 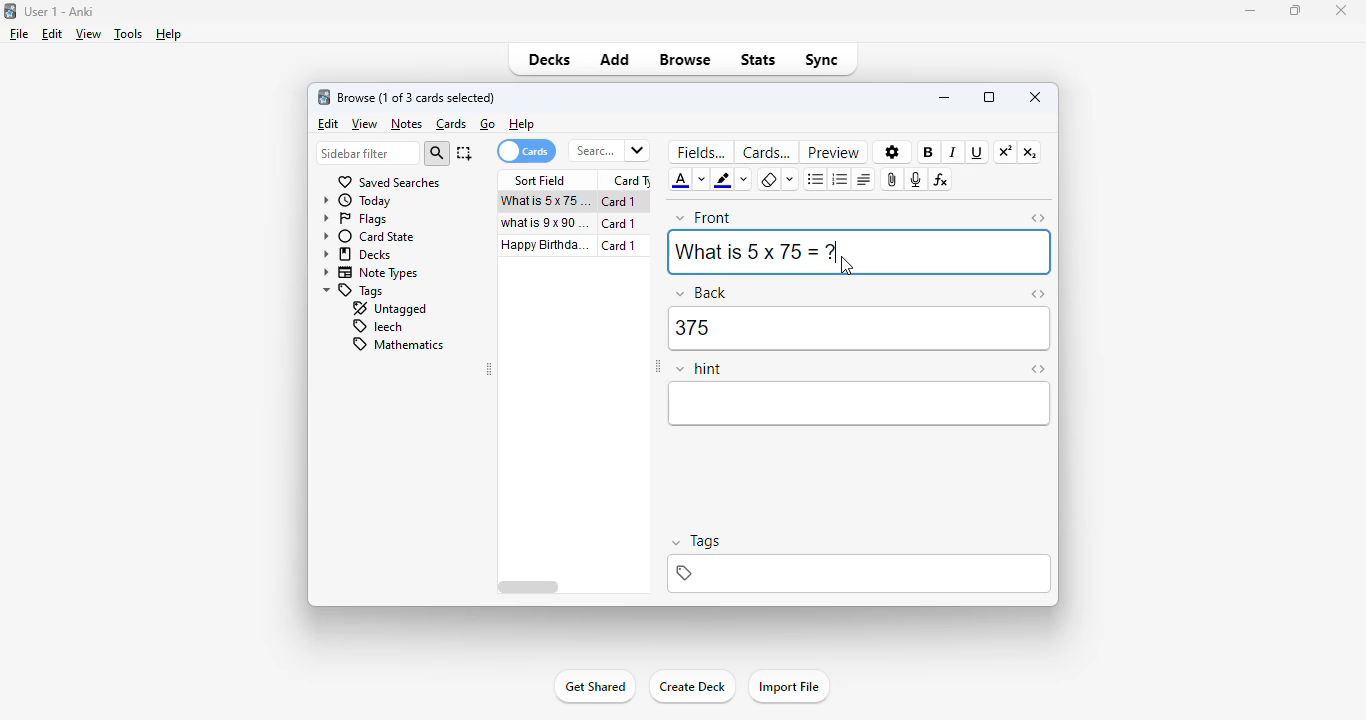 I want to click on logo, so click(x=10, y=11).